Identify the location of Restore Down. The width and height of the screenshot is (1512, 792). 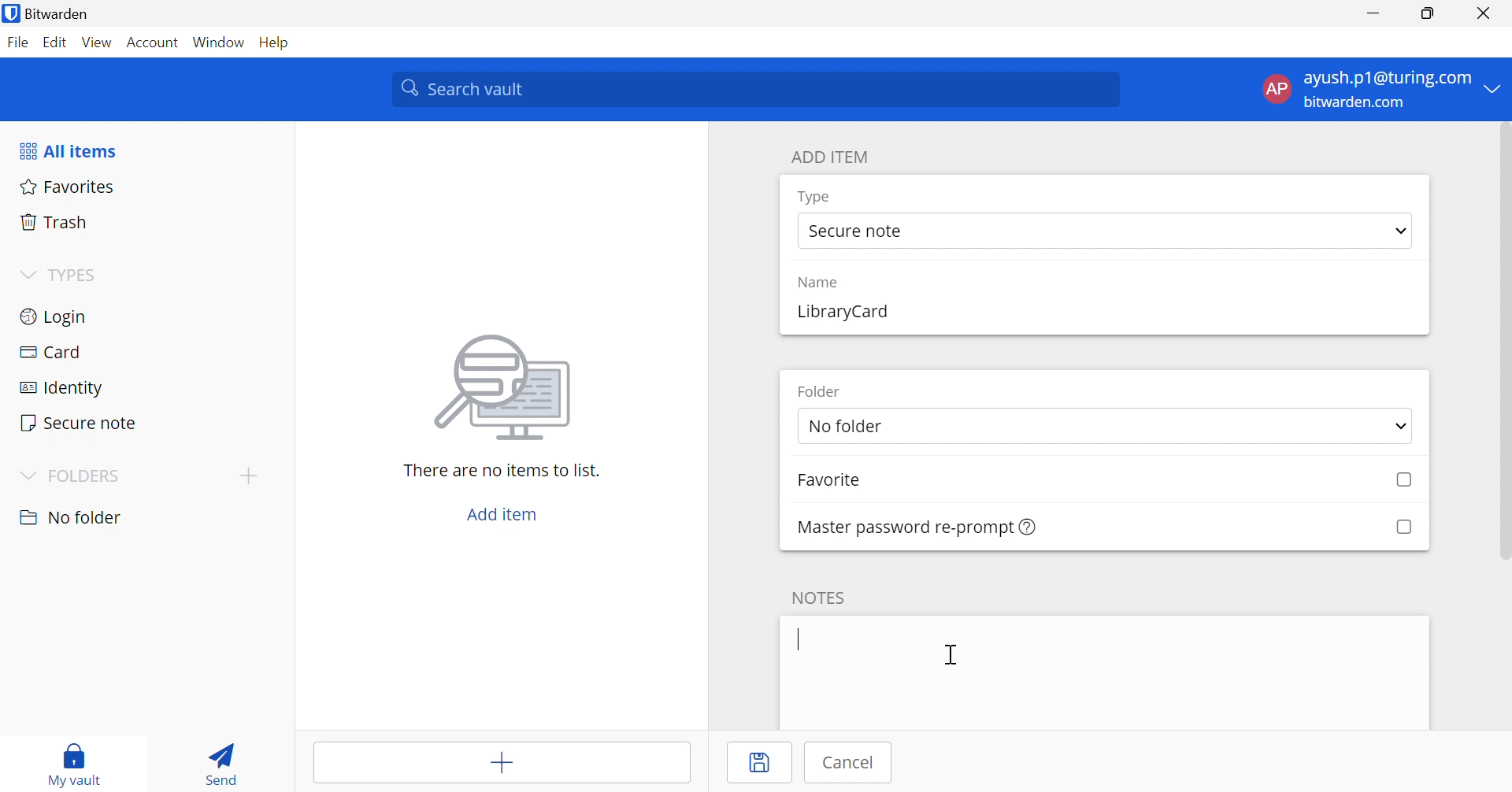
(1429, 11).